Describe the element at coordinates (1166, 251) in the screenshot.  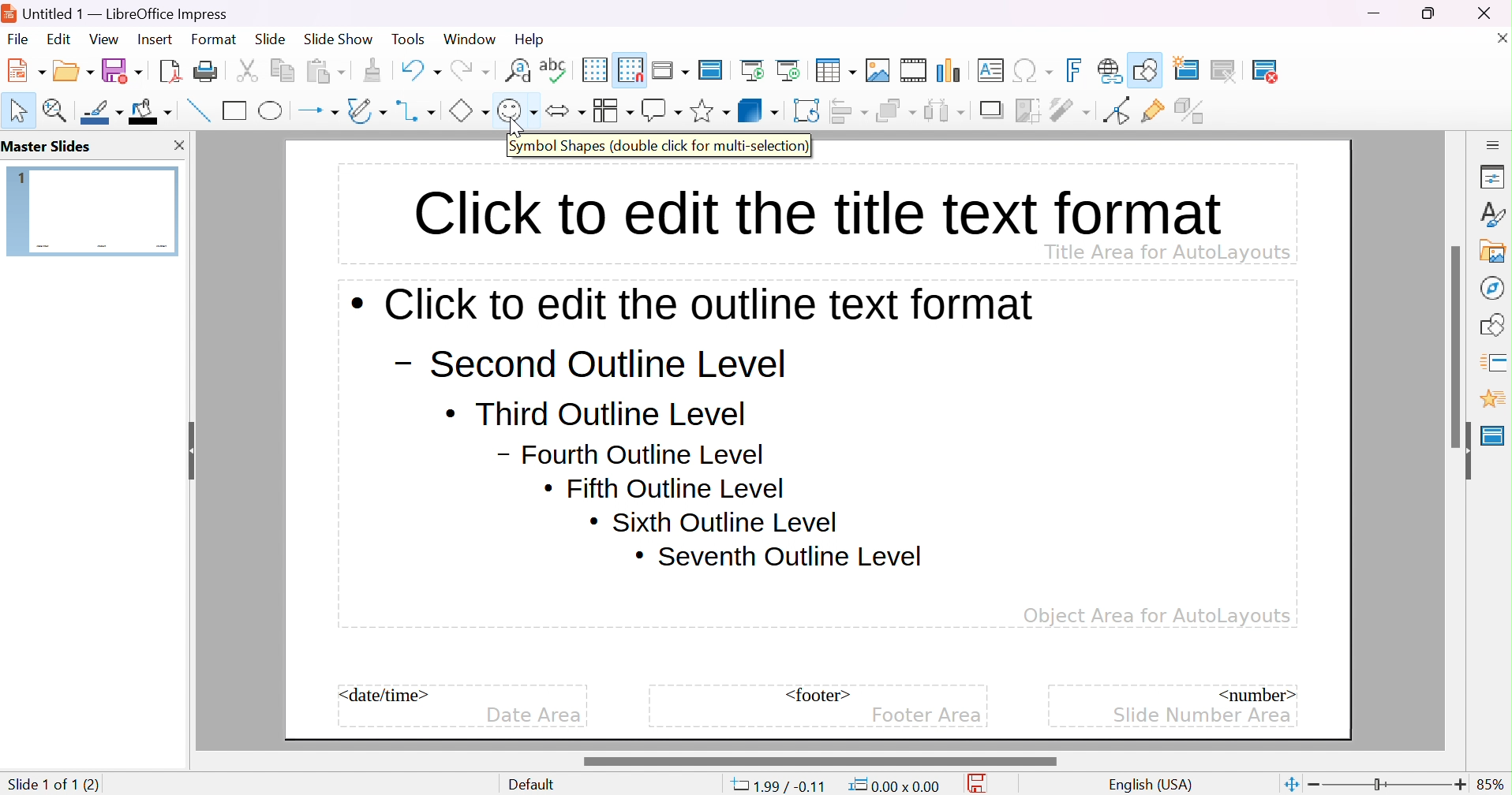
I see `title area for autolayouts` at that location.